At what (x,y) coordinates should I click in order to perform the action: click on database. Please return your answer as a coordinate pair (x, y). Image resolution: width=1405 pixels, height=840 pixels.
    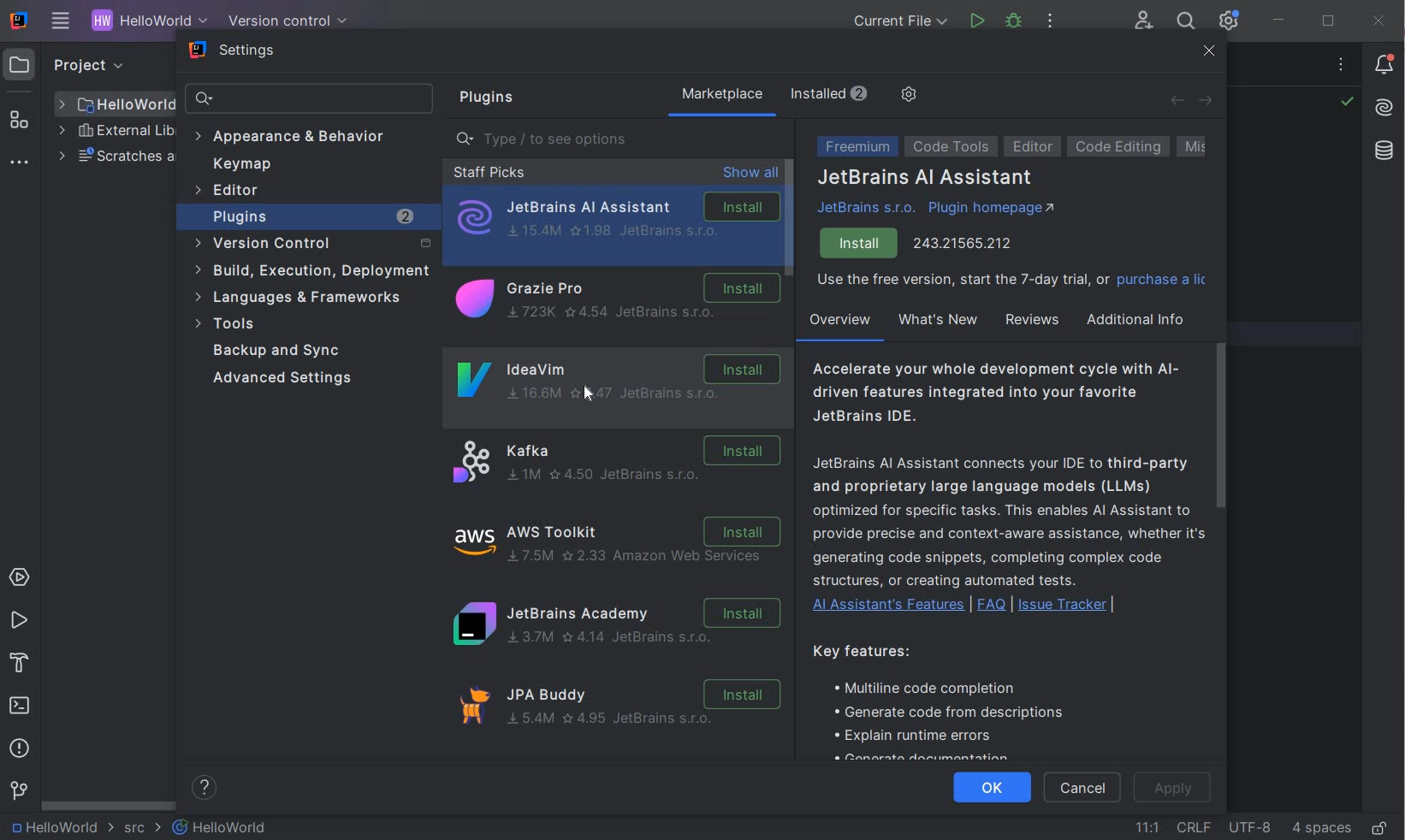
    Looking at the image, I should click on (1379, 151).